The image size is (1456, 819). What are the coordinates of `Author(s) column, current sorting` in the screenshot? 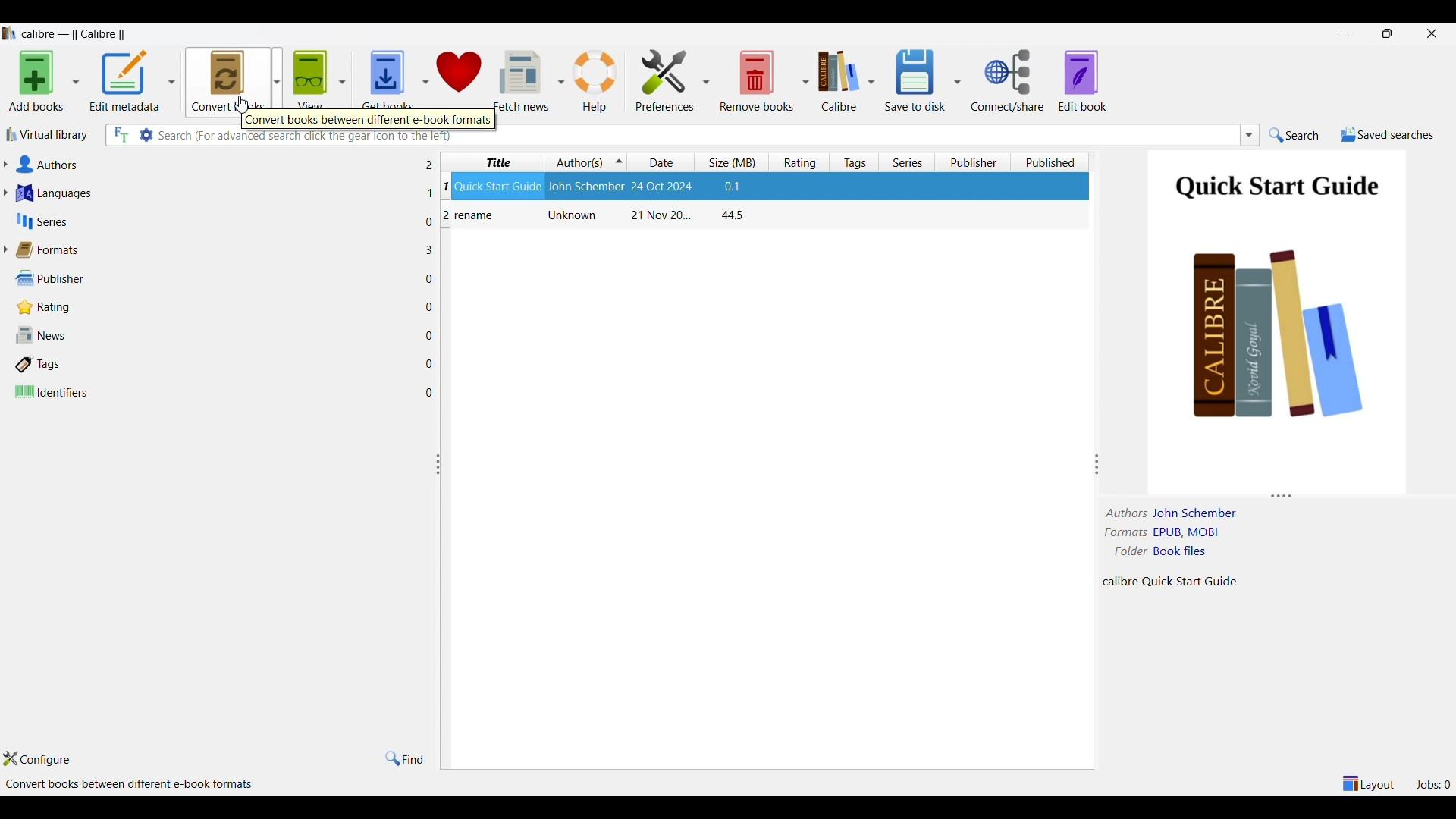 It's located at (585, 162).